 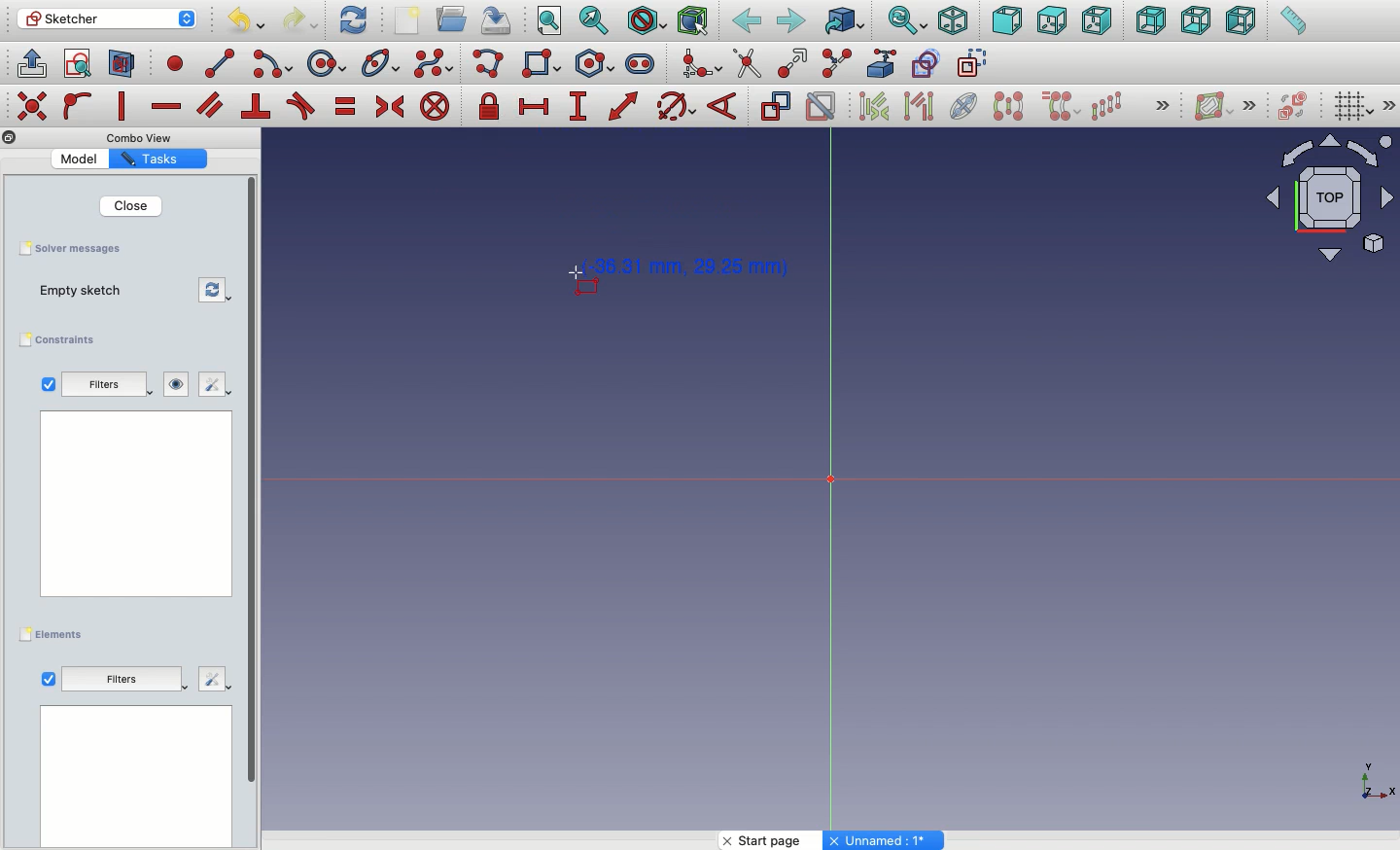 I want to click on Sketcher - Workbench, so click(x=106, y=18).